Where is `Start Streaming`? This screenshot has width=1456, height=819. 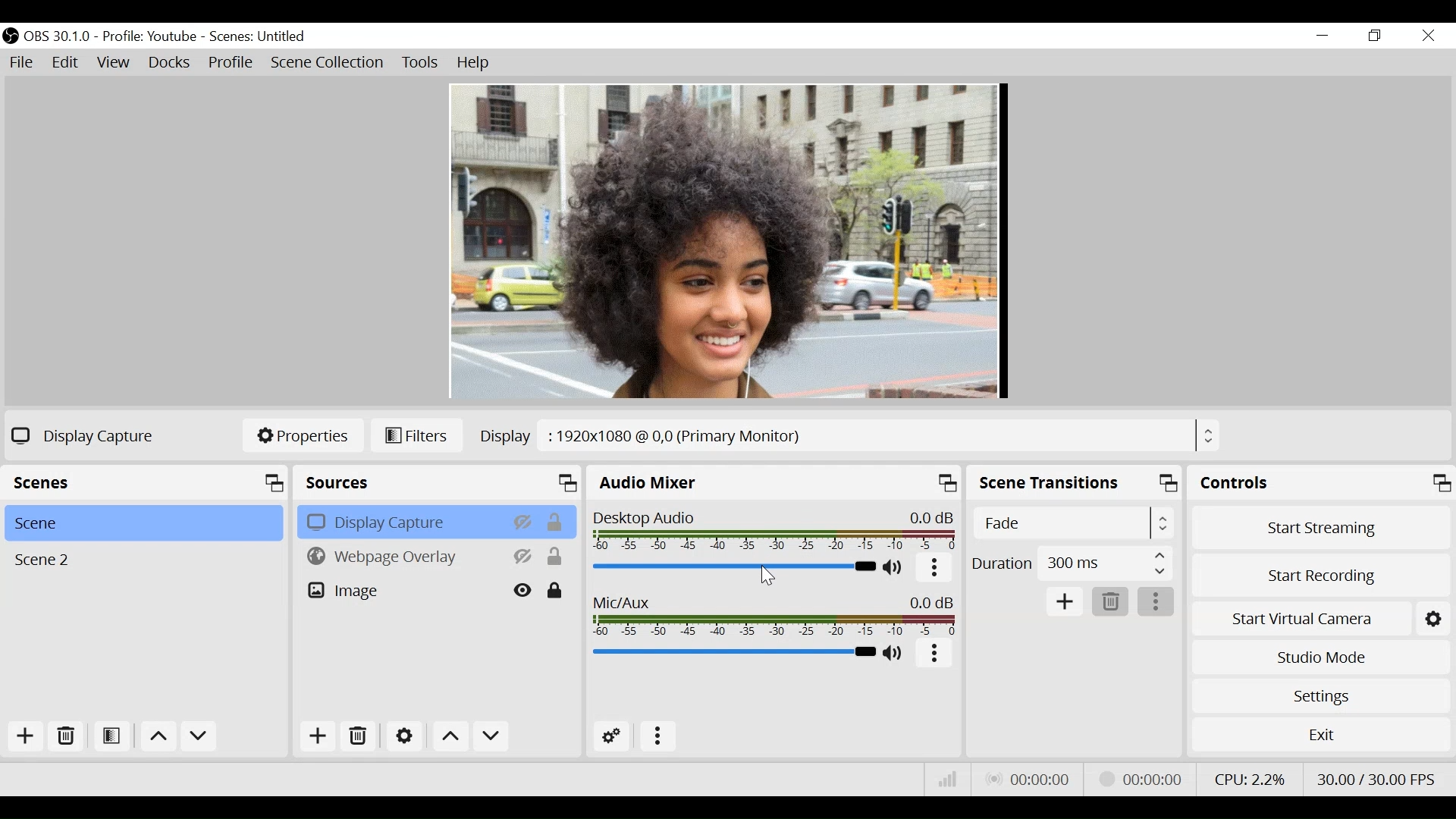
Start Streaming is located at coordinates (1317, 528).